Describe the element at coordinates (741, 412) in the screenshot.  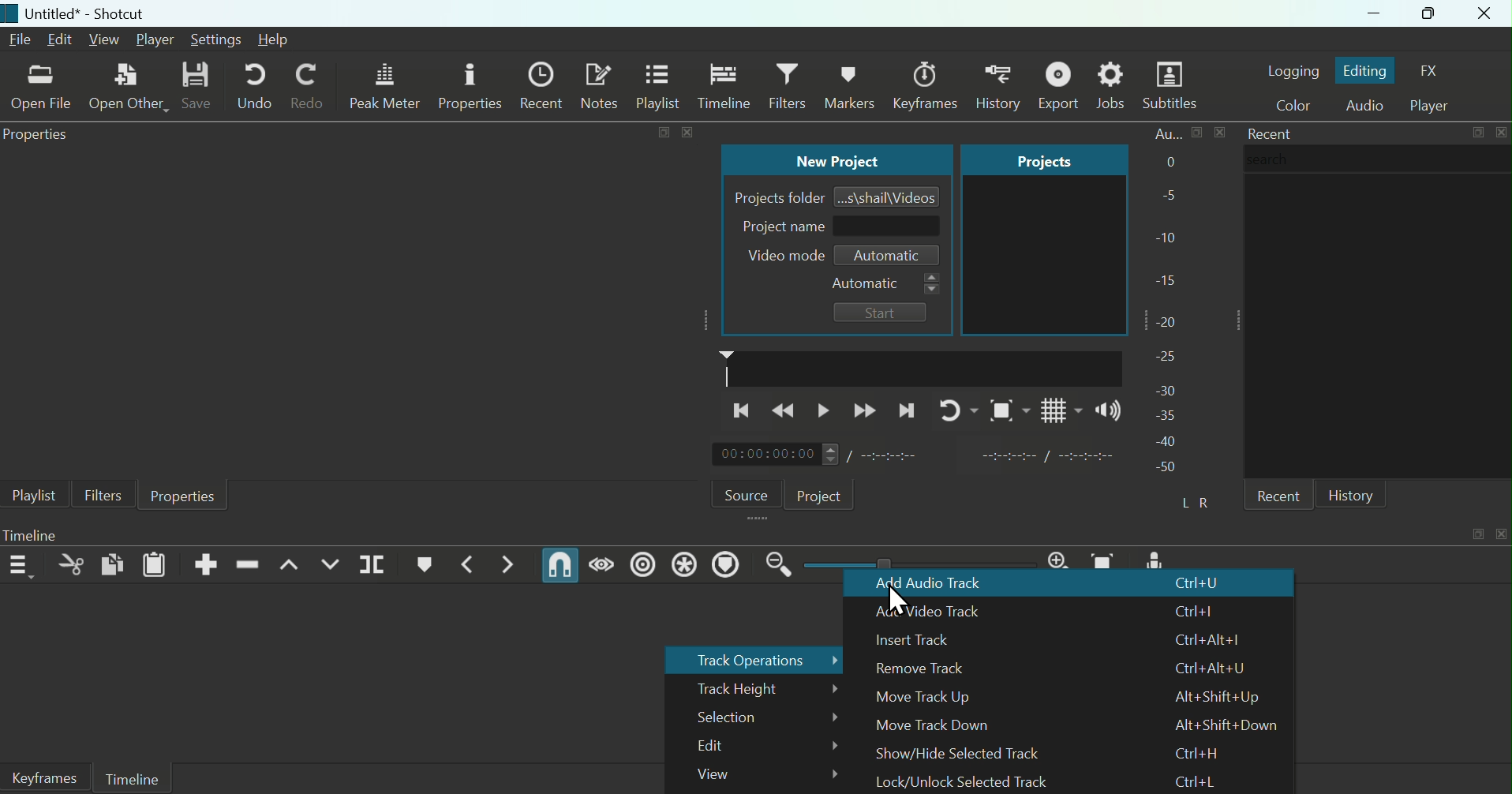
I see `Previous` at that location.